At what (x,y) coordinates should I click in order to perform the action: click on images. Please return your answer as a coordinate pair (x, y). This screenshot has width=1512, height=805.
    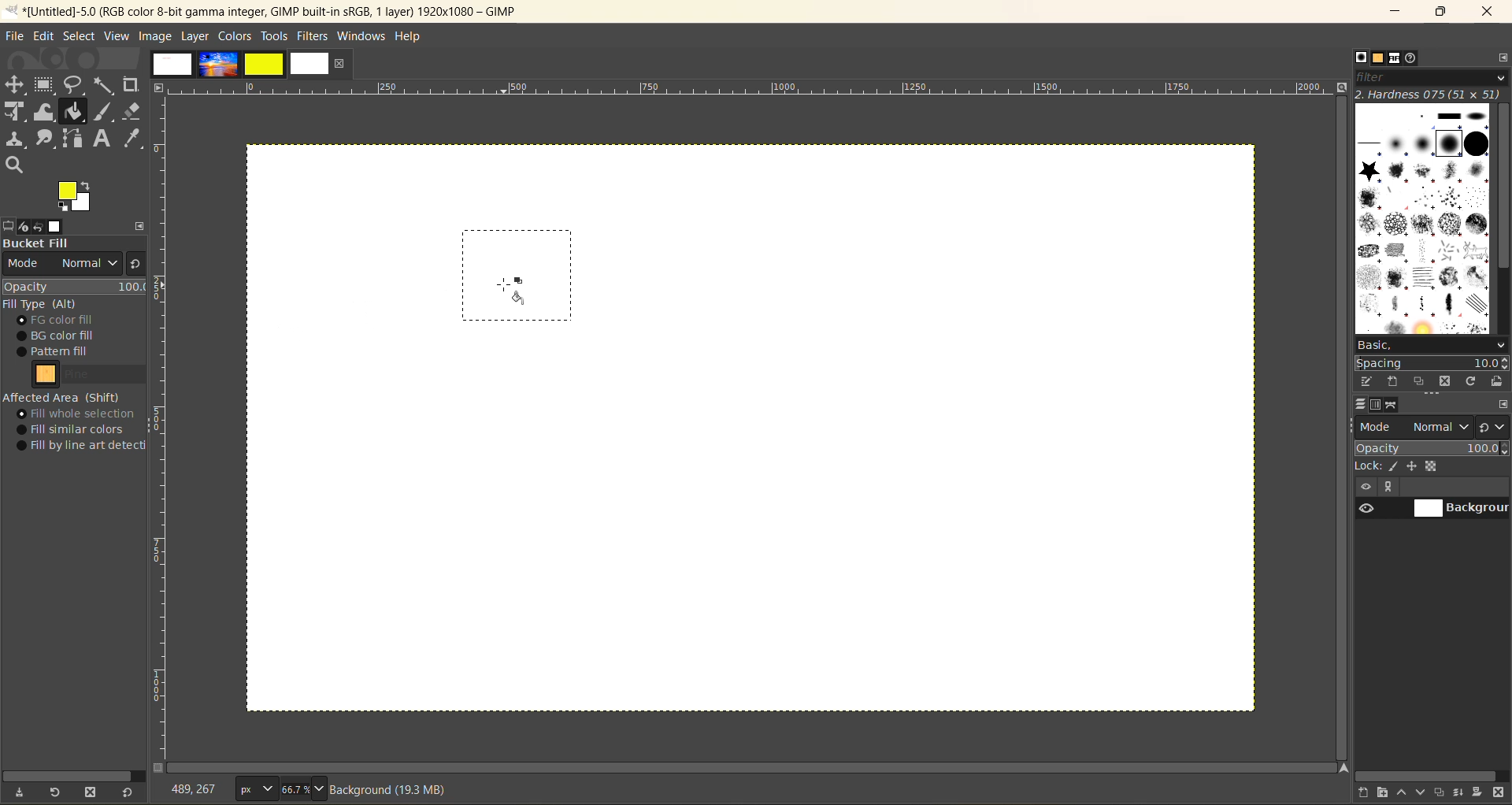
    Looking at the image, I should click on (239, 67).